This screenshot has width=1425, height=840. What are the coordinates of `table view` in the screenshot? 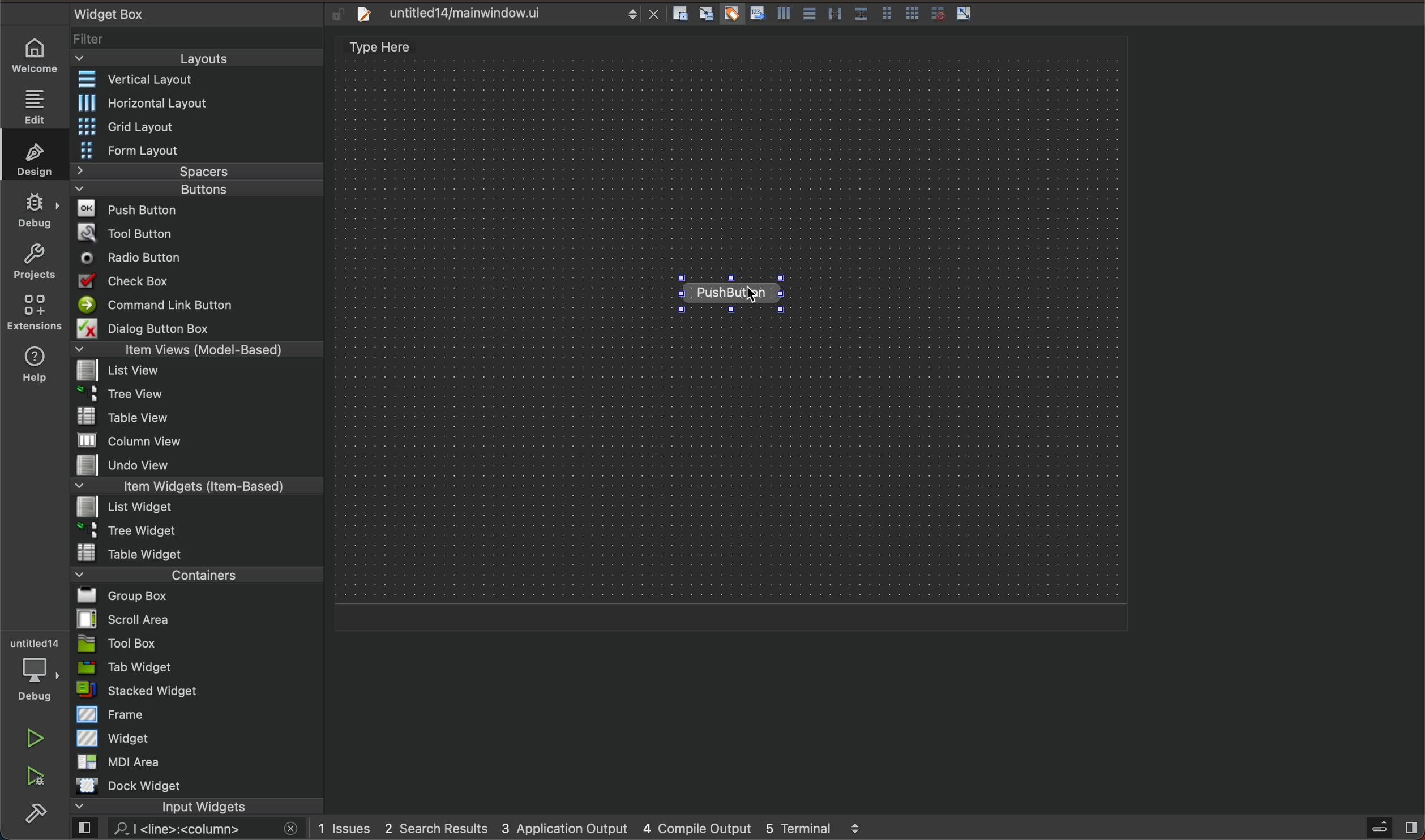 It's located at (204, 418).